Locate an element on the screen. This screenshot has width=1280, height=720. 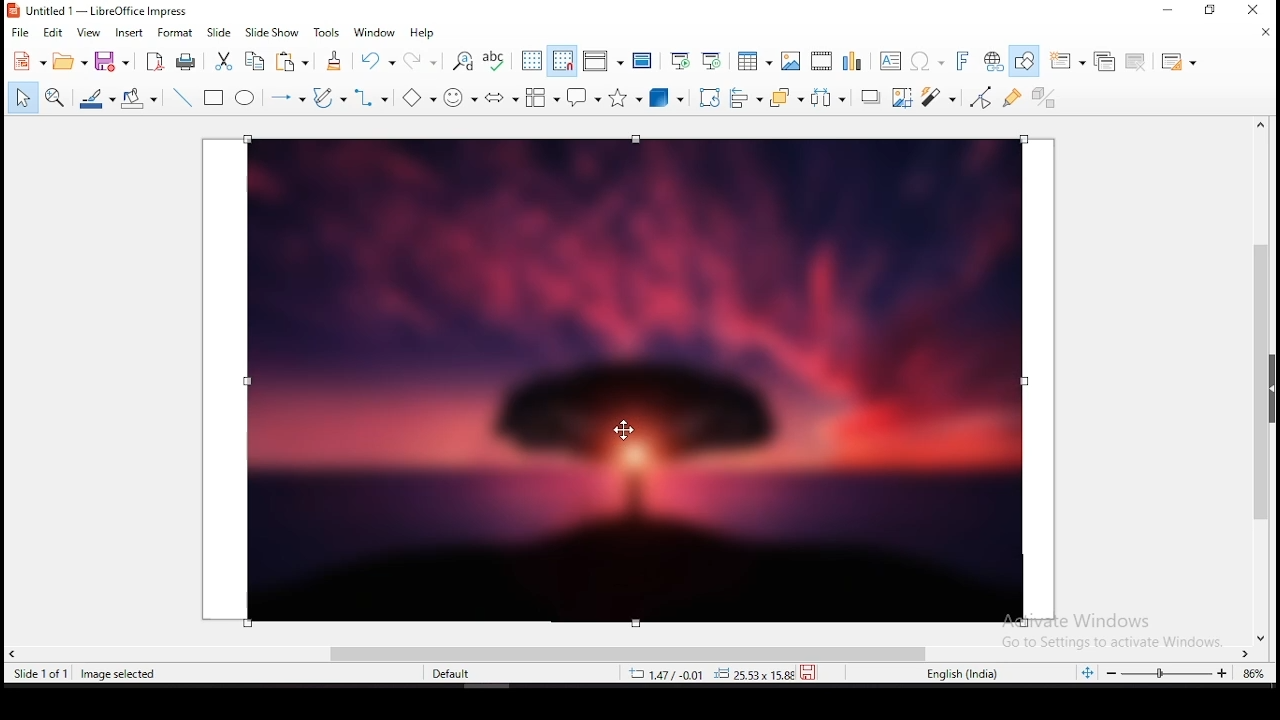
new slide is located at coordinates (1068, 60).